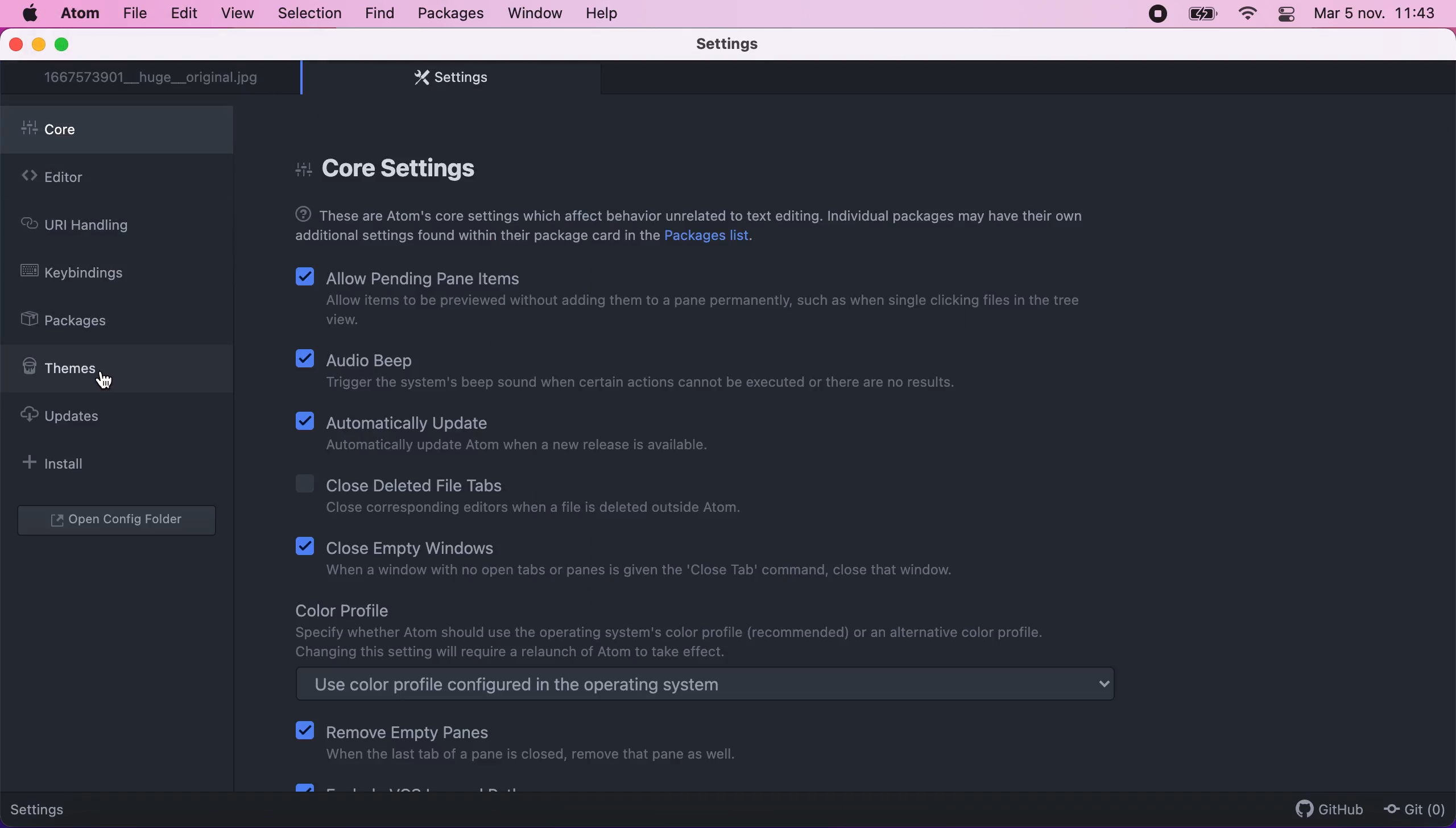 The height and width of the screenshot is (828, 1456). I want to click on file, so click(134, 15).